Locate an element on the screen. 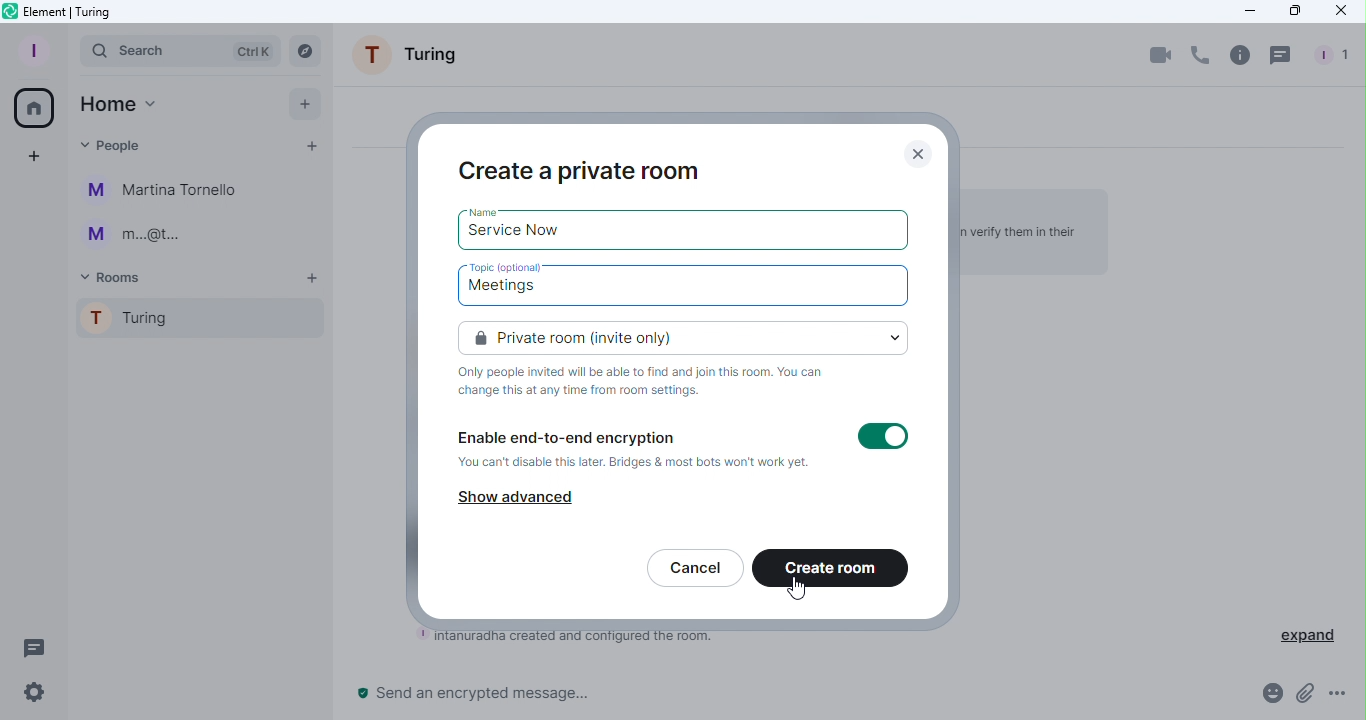  Search bar is located at coordinates (180, 50).